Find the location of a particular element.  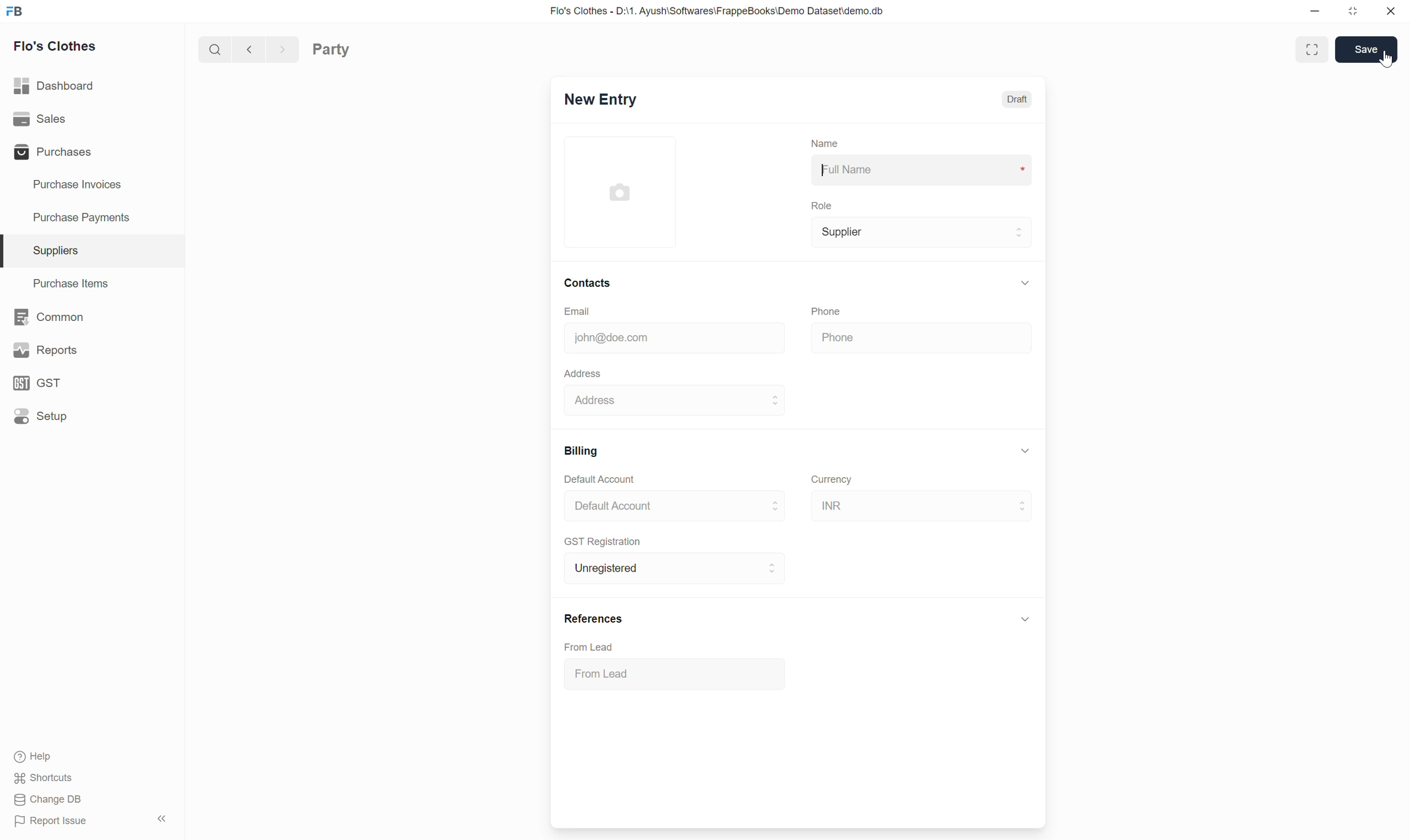

Billing is located at coordinates (581, 451).